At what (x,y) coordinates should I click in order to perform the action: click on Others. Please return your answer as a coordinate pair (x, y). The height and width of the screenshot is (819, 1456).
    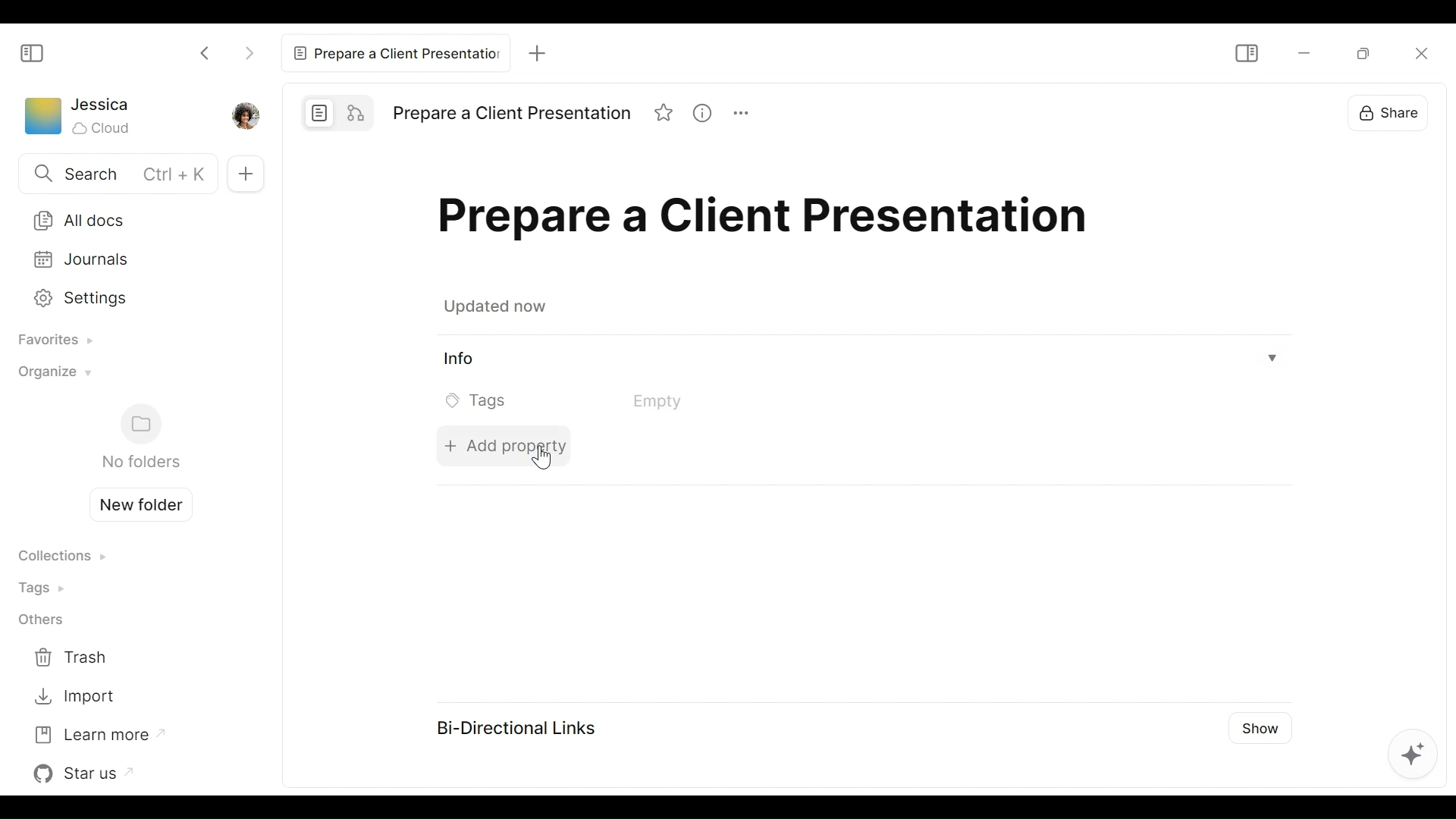
    Looking at the image, I should click on (40, 621).